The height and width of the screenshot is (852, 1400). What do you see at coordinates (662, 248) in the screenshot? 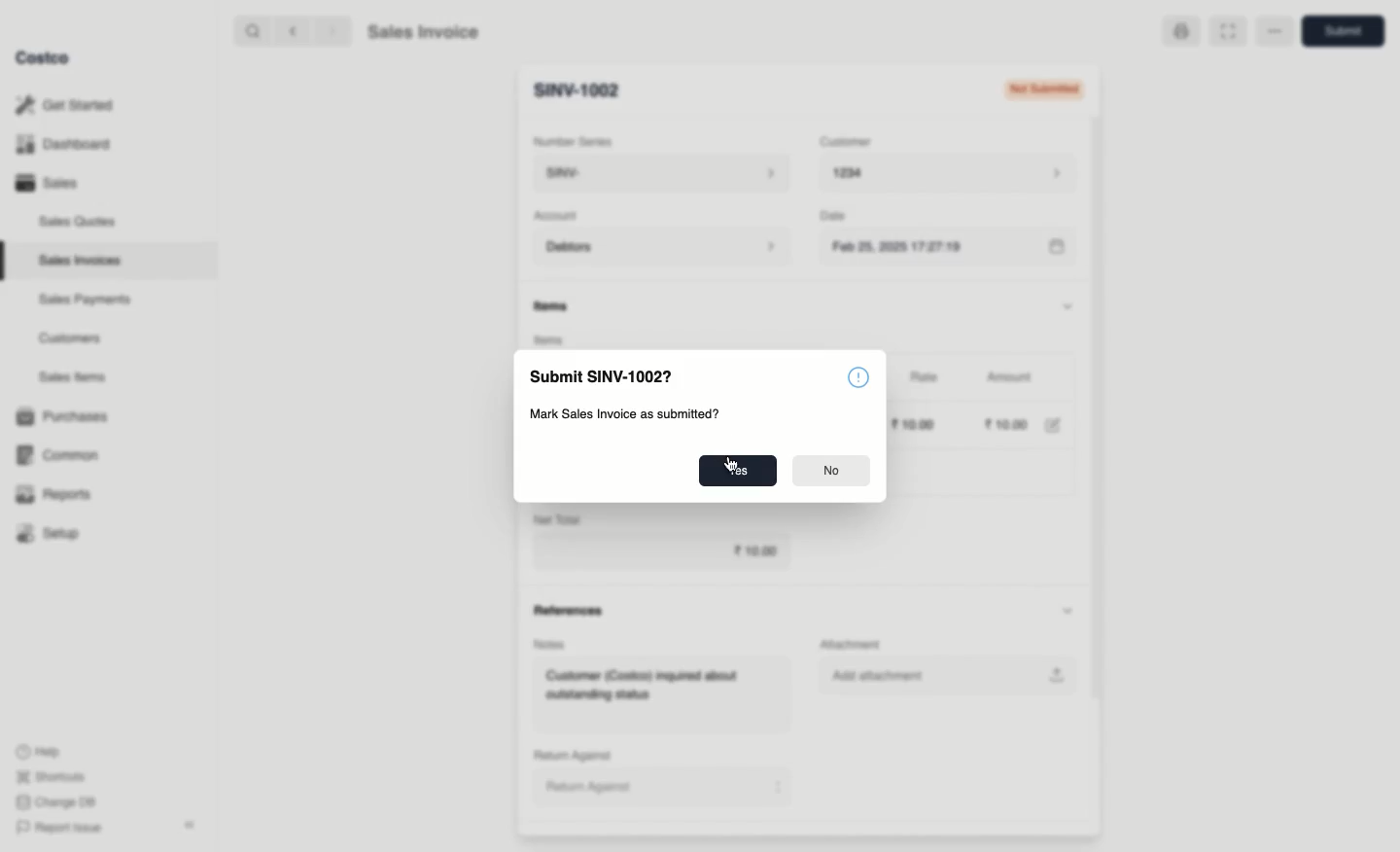
I see `Debtors` at bounding box center [662, 248].